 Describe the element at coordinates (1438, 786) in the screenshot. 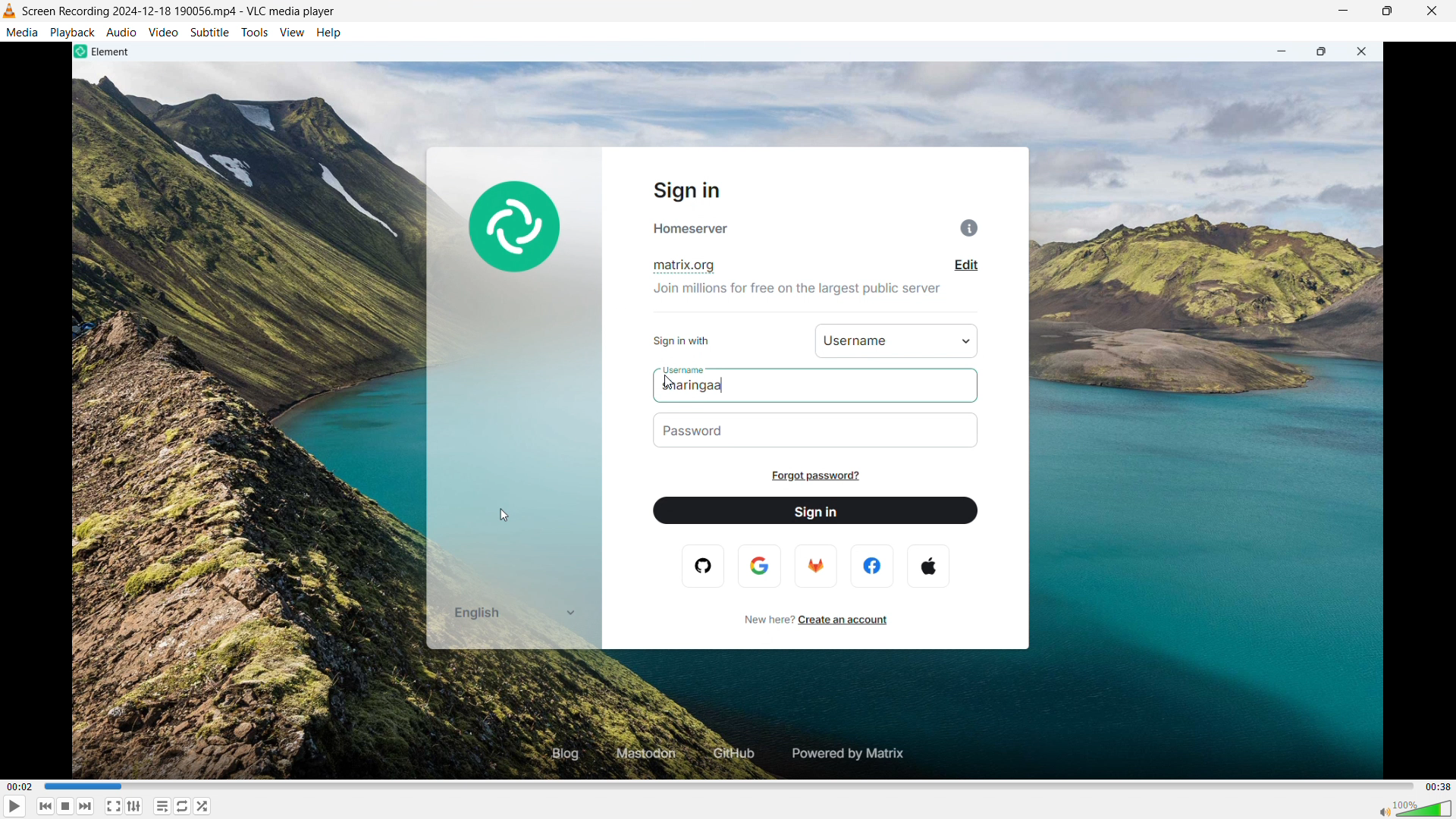

I see `video duration-00.38` at that location.